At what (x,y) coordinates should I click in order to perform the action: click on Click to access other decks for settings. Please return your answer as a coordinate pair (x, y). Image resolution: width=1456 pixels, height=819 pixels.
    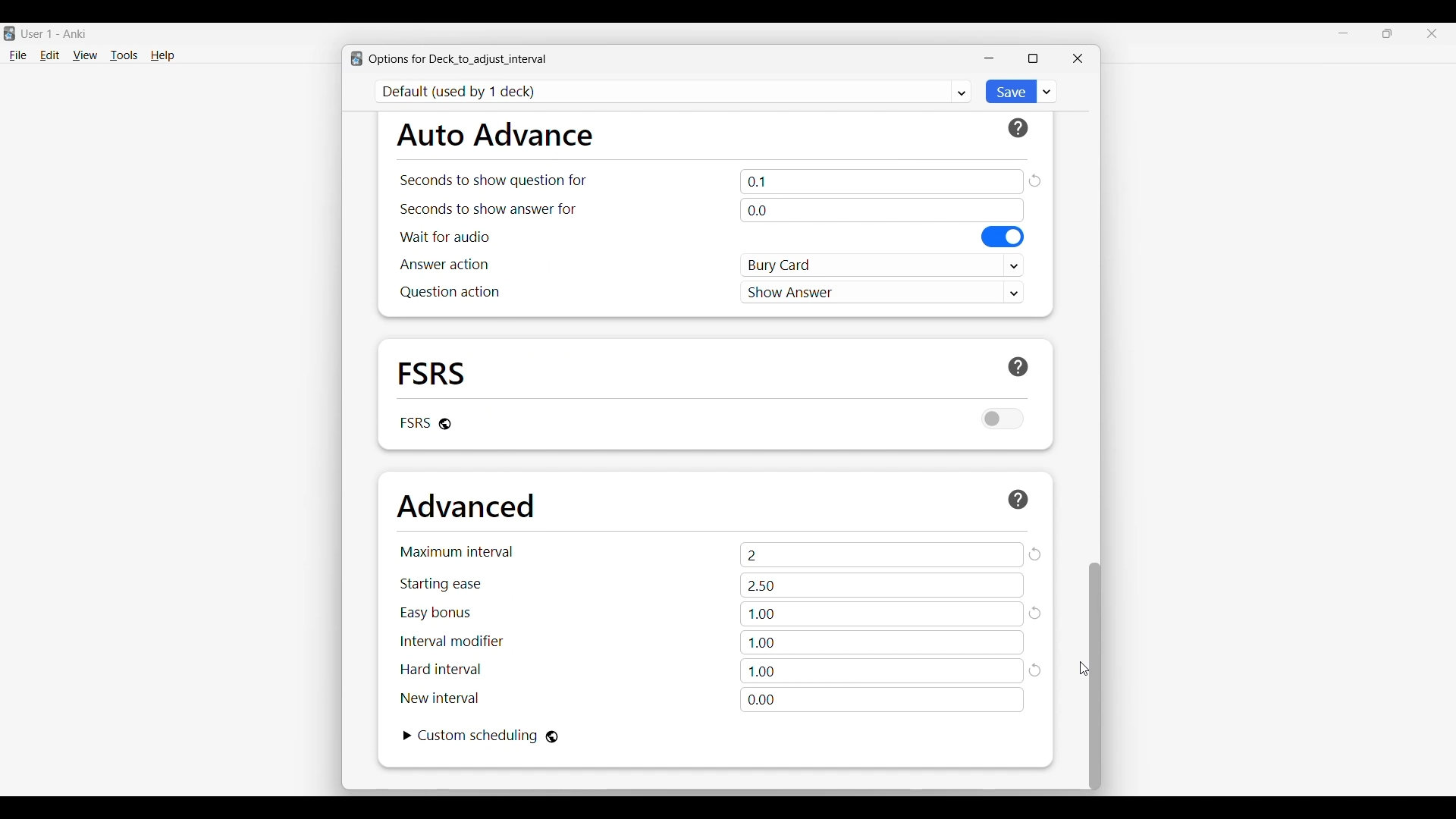
    Looking at the image, I should click on (674, 92).